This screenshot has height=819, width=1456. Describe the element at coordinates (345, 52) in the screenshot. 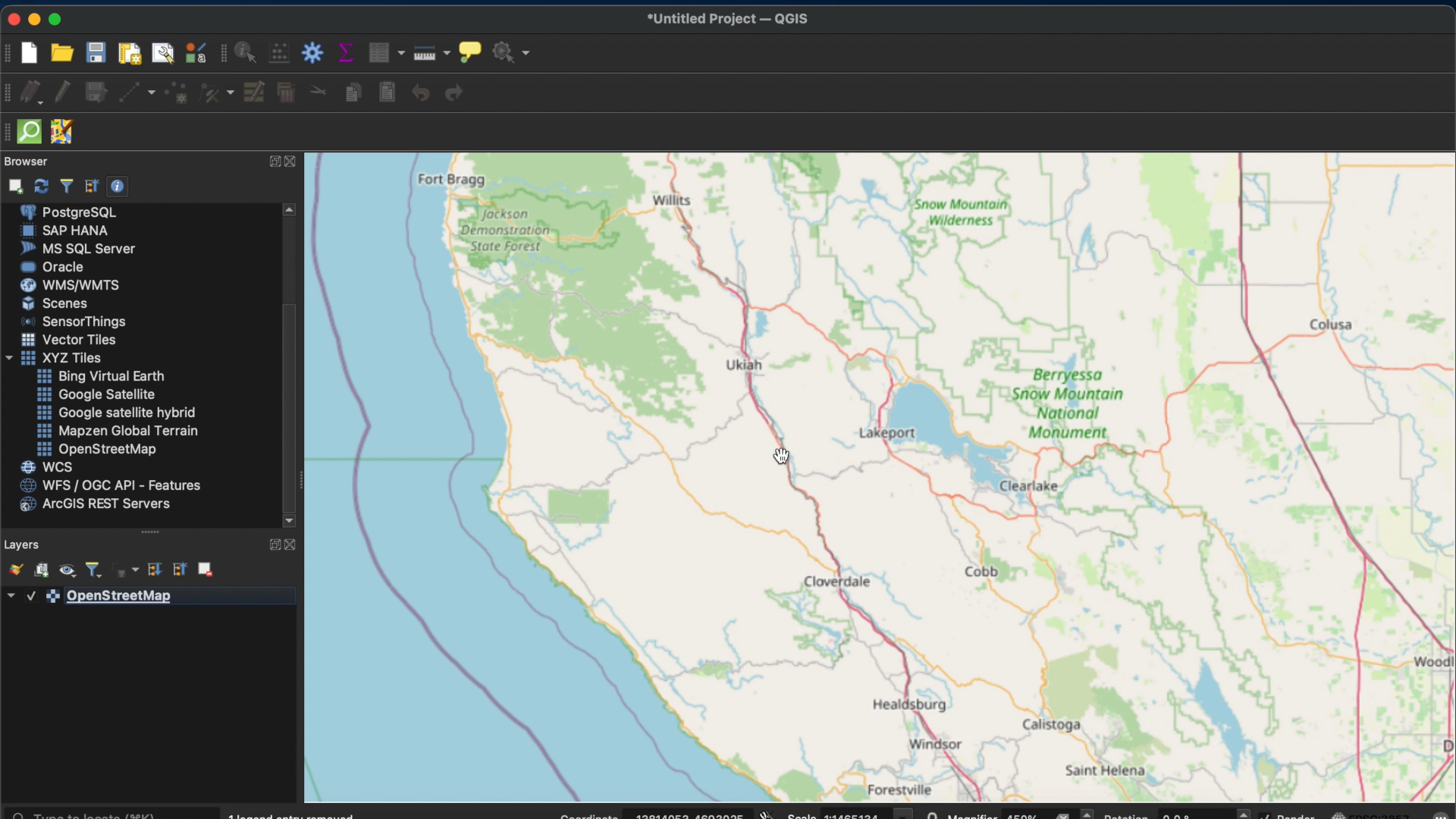

I see `show statistical summary` at that location.